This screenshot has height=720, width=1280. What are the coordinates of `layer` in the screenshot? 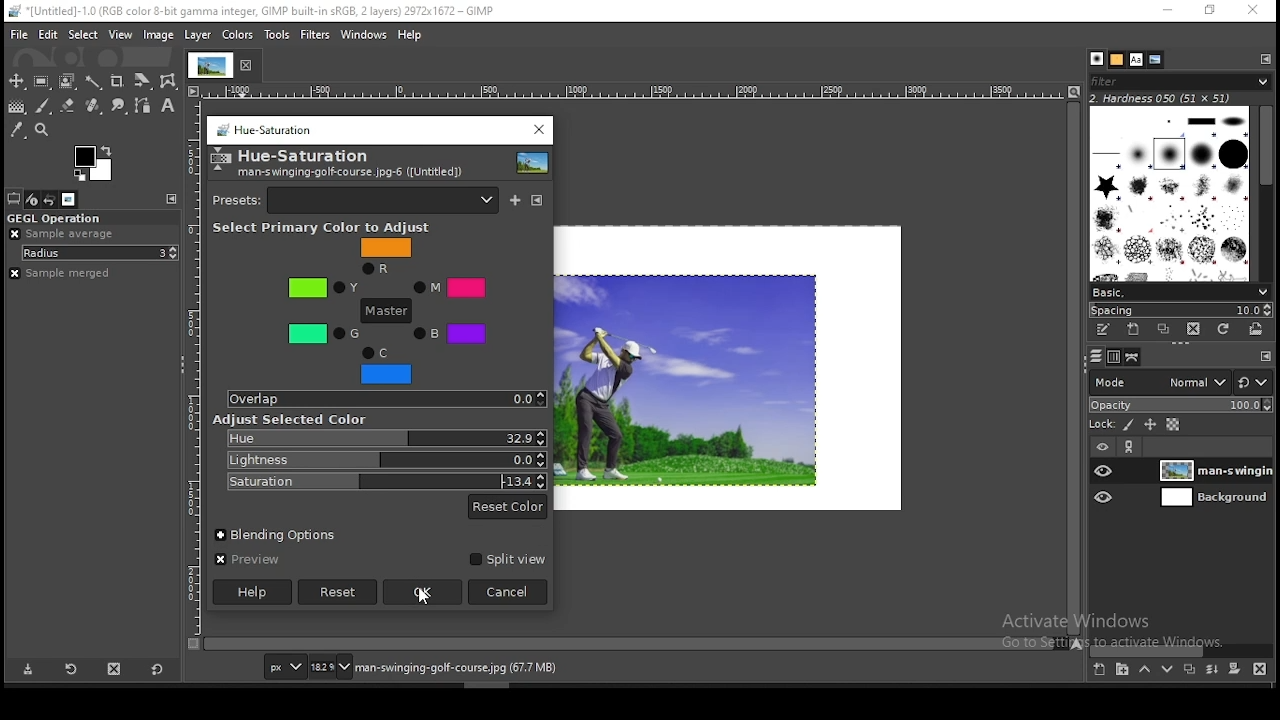 It's located at (1216, 500).